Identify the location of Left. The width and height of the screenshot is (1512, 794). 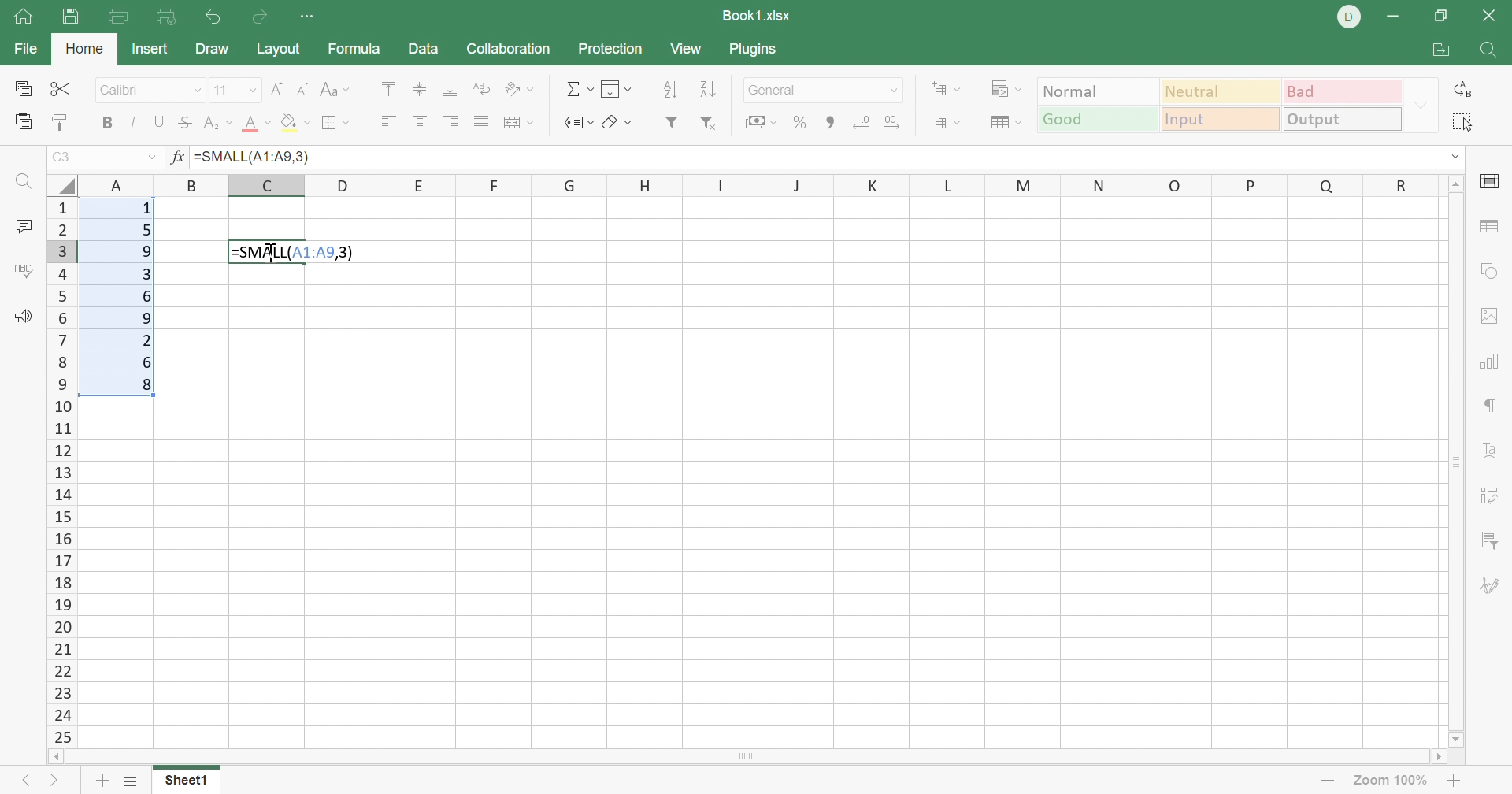
(19, 783).